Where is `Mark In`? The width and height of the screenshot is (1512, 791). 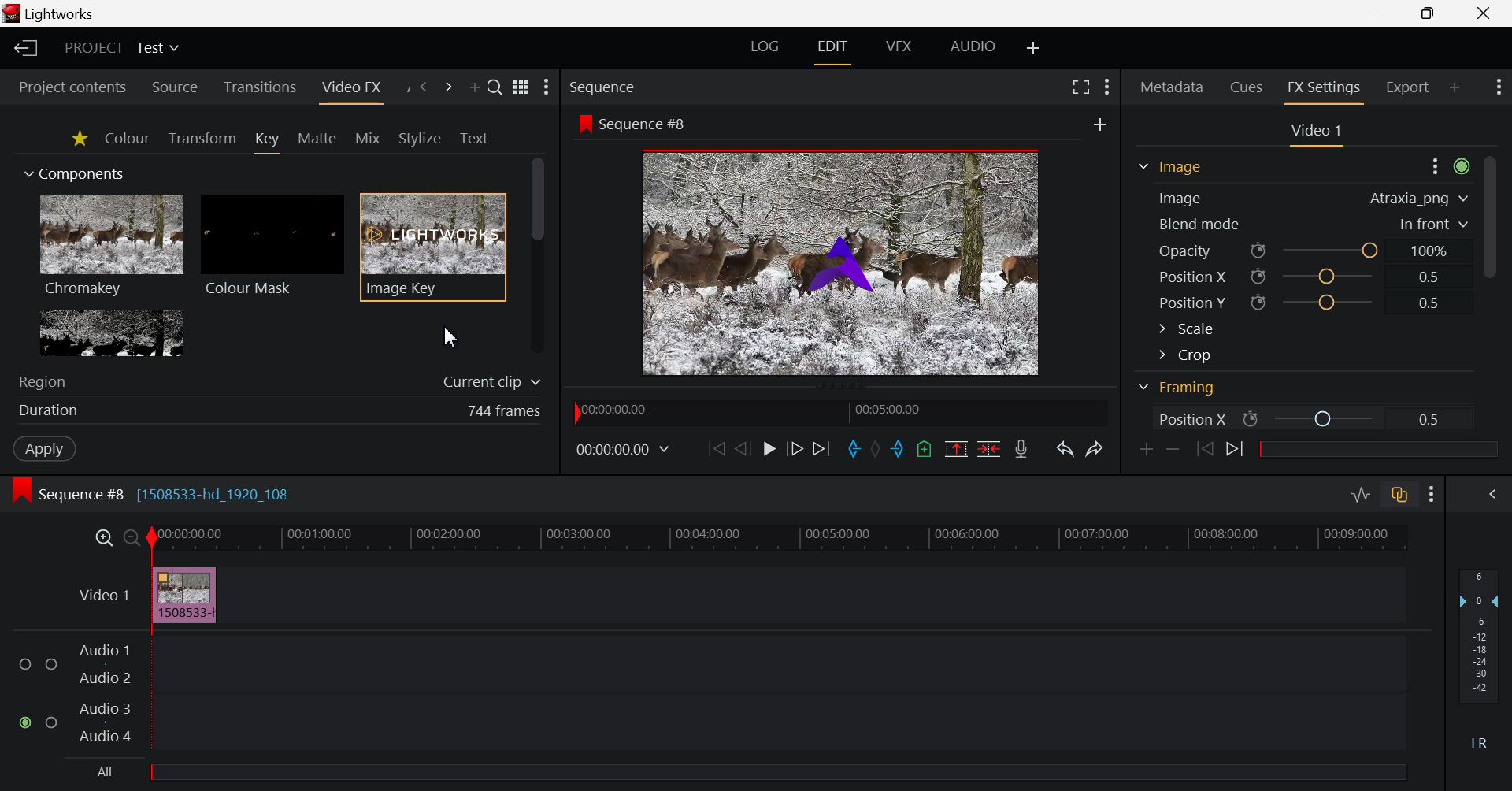 Mark In is located at coordinates (855, 451).